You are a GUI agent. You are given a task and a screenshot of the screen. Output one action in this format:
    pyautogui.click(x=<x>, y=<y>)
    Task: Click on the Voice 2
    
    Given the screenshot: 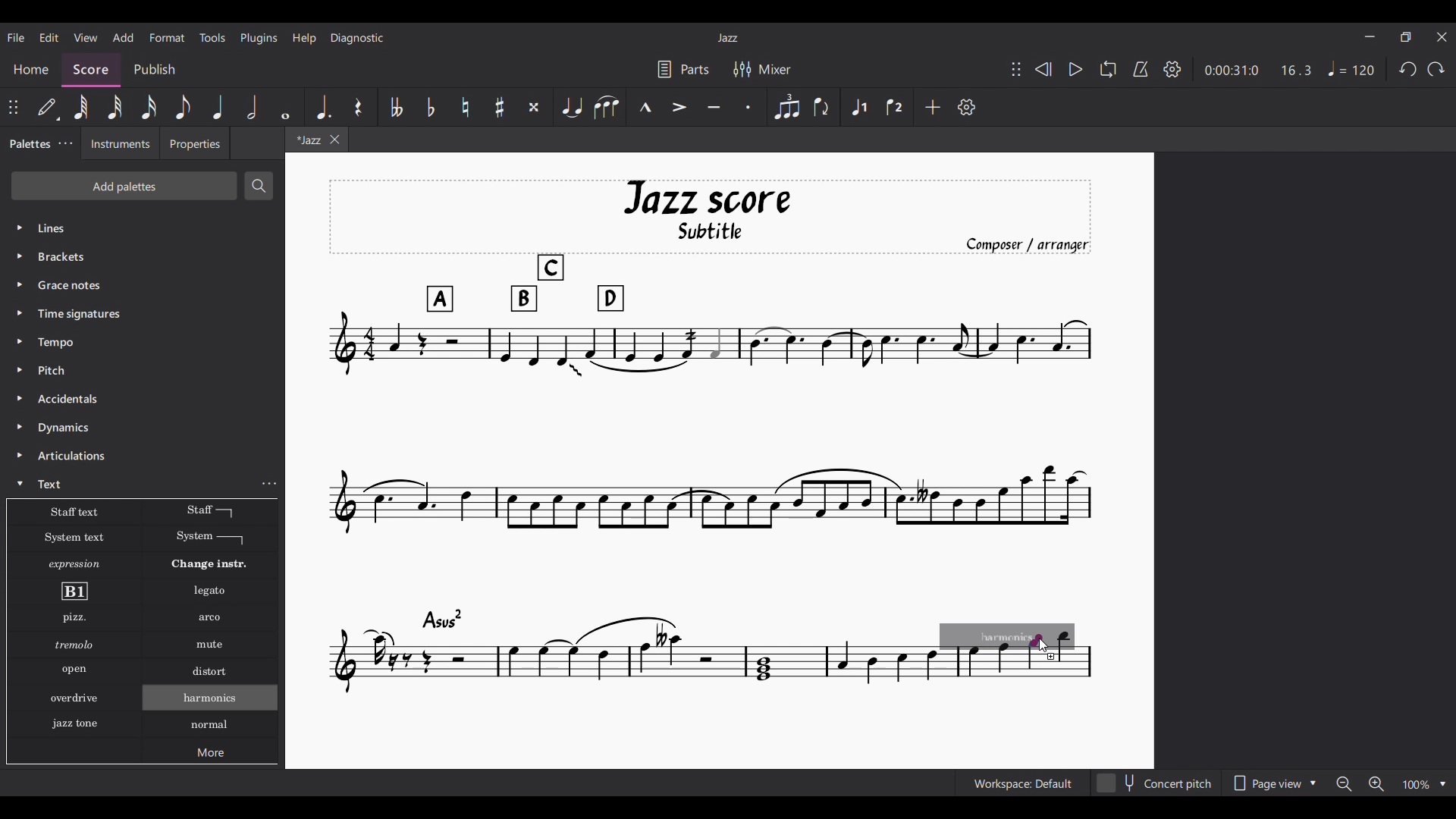 What is the action you would take?
    pyautogui.click(x=895, y=106)
    